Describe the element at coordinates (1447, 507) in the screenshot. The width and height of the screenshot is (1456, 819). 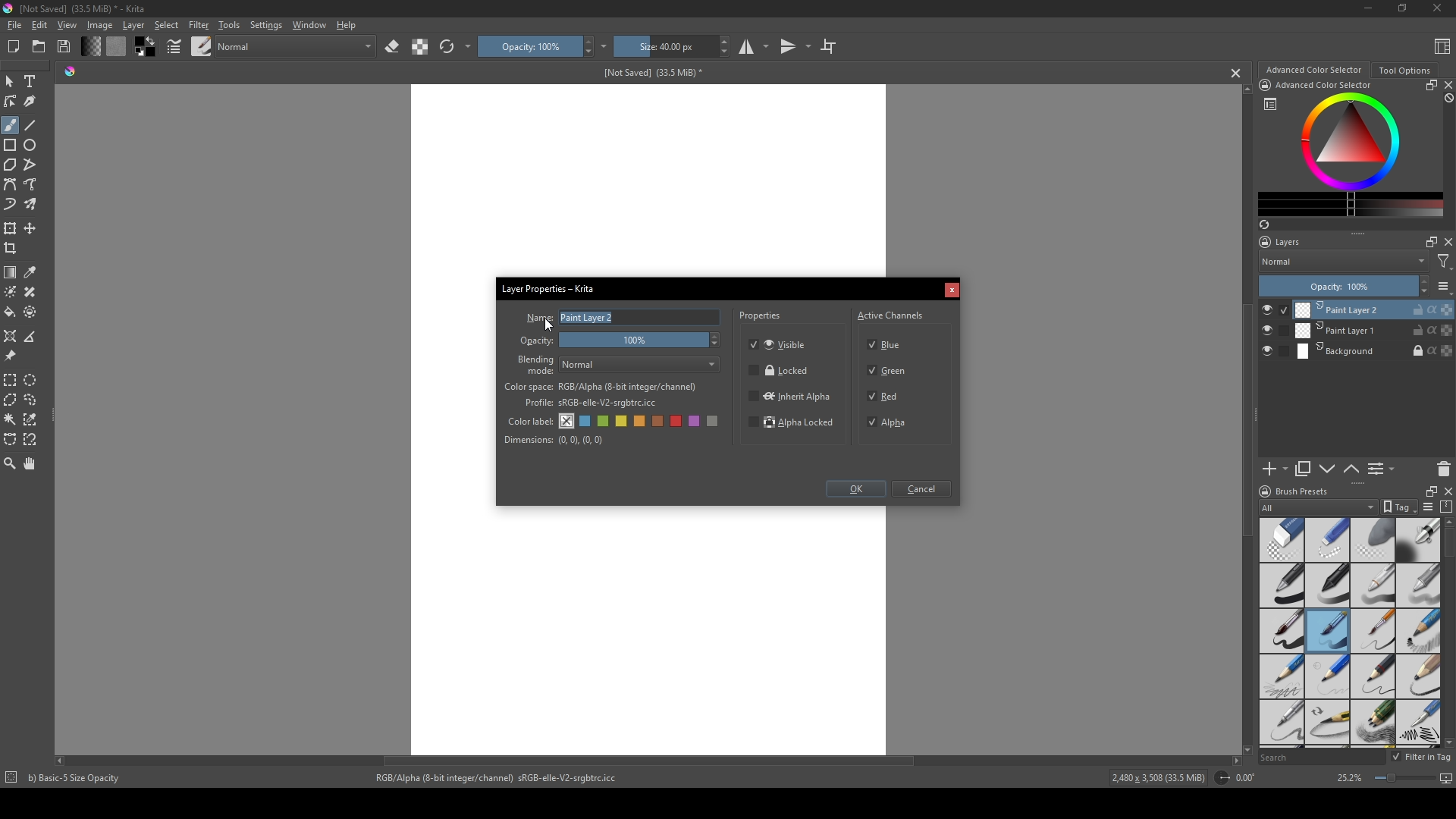
I see `compress` at that location.